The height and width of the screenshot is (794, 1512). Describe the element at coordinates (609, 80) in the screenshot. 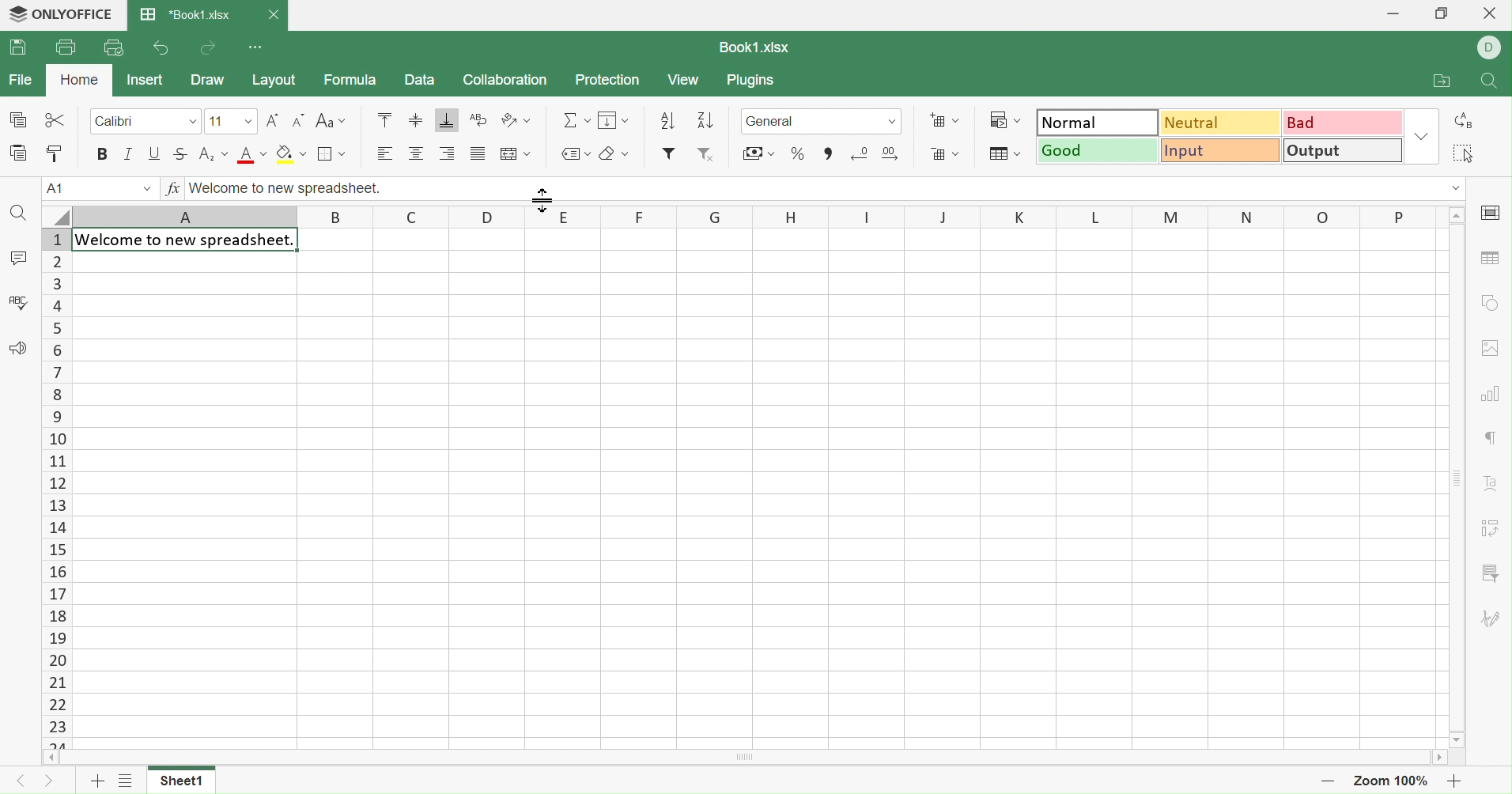

I see `Protection` at that location.